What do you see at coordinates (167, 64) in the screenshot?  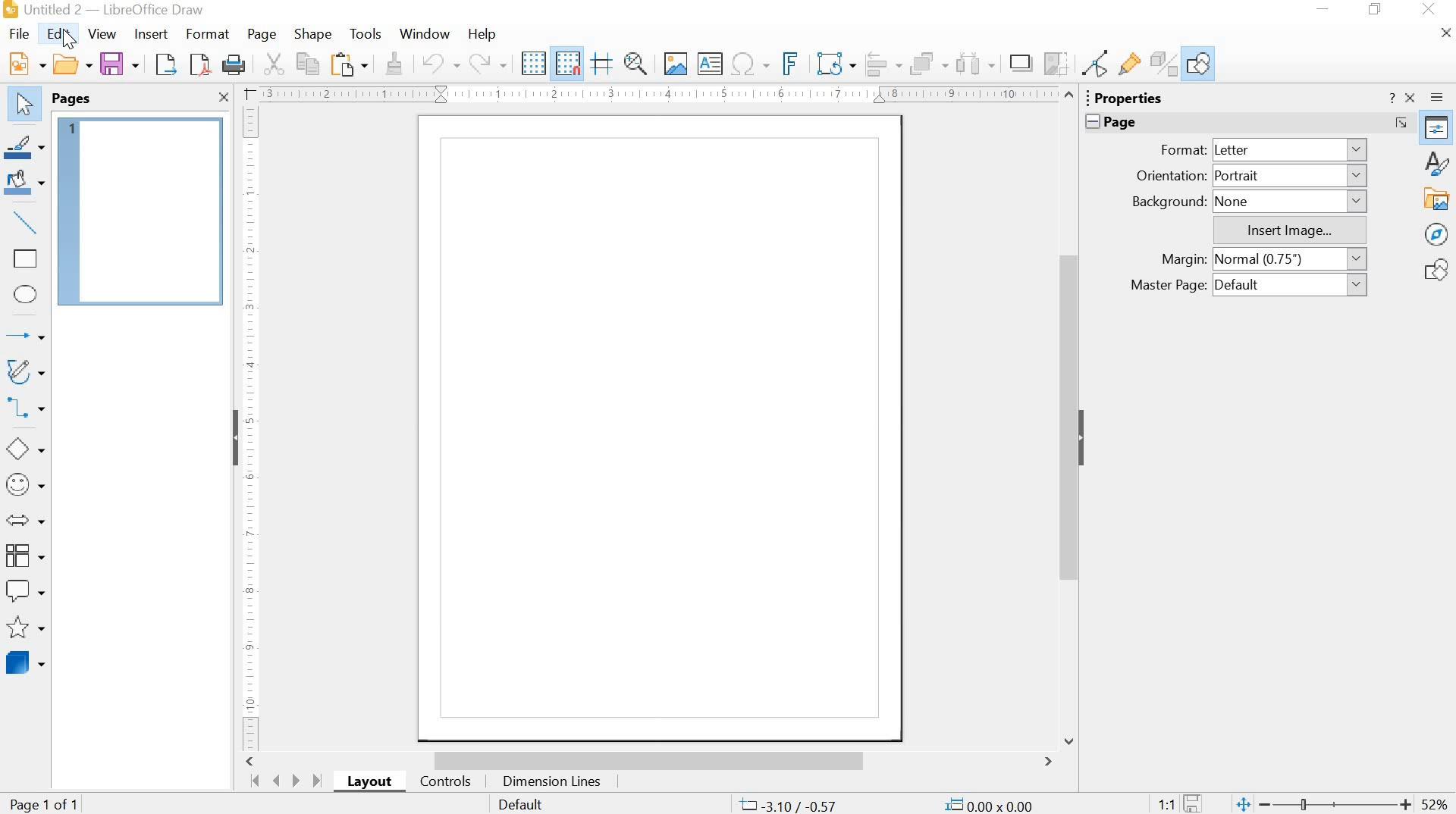 I see `Export` at bounding box center [167, 64].